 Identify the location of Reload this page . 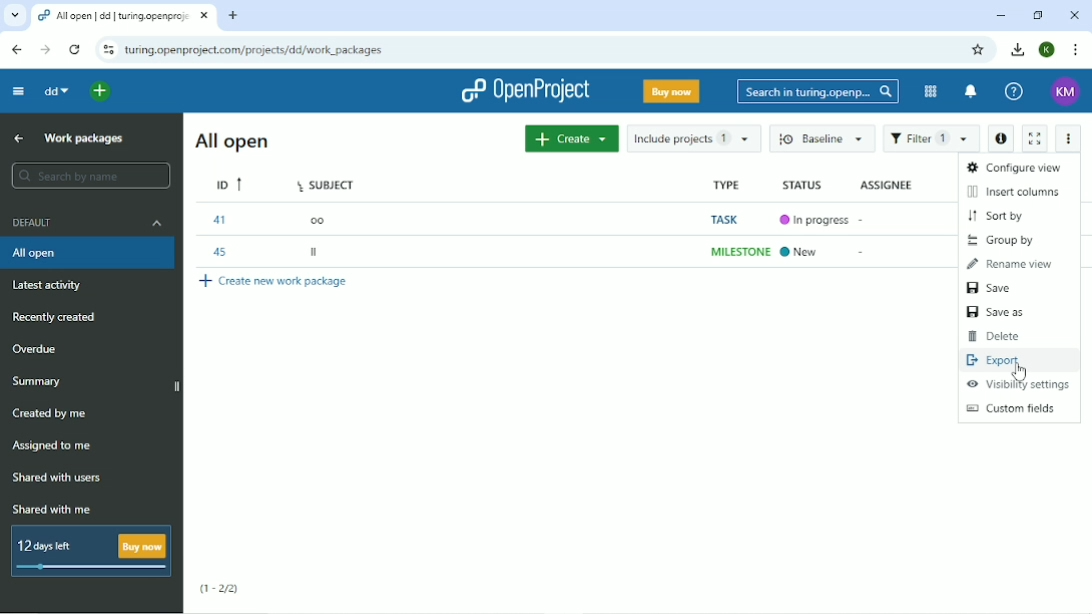
(74, 50).